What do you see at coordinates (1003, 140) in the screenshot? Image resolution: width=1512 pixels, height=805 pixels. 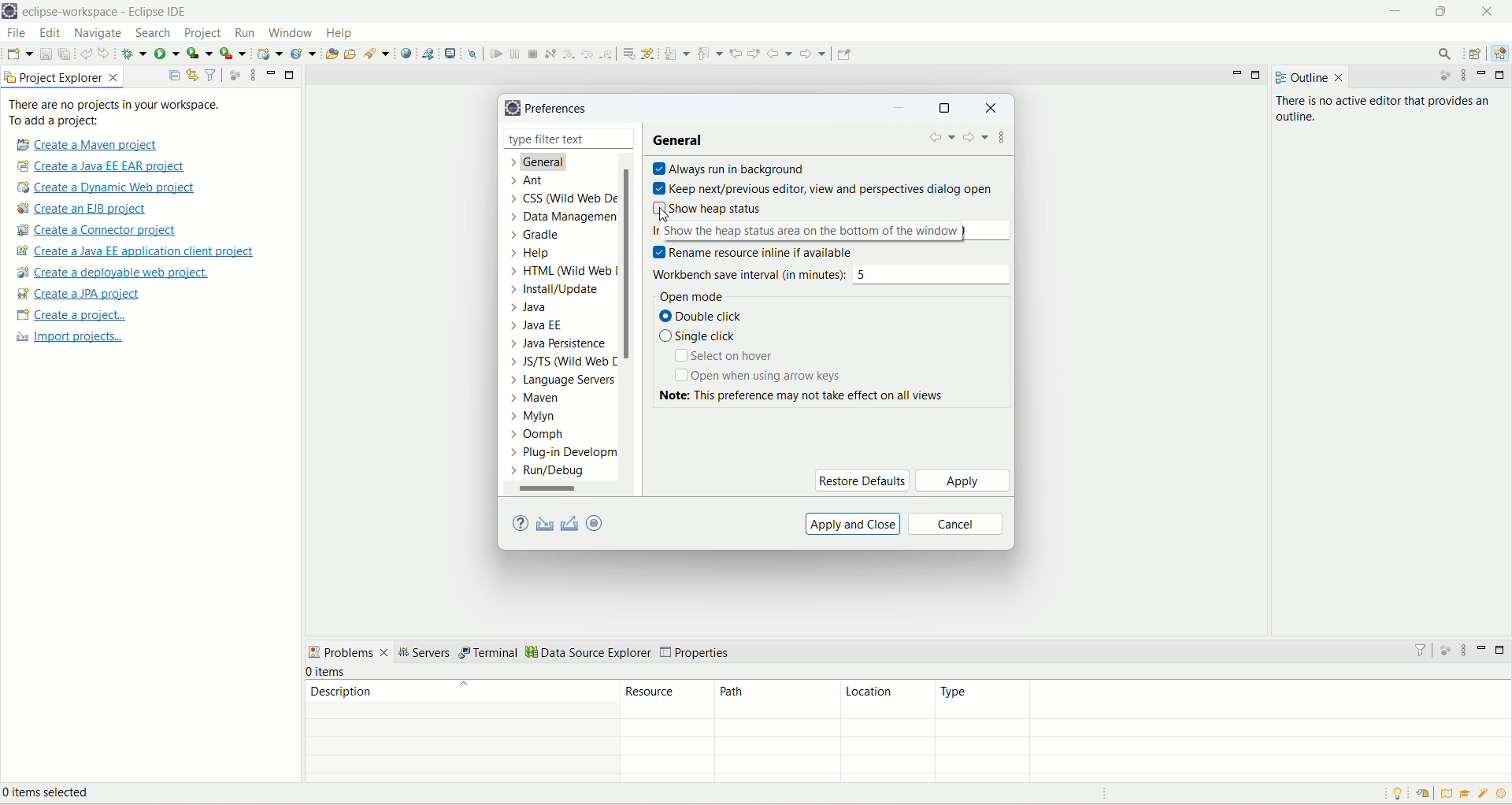 I see `additional dialogue action` at bounding box center [1003, 140].